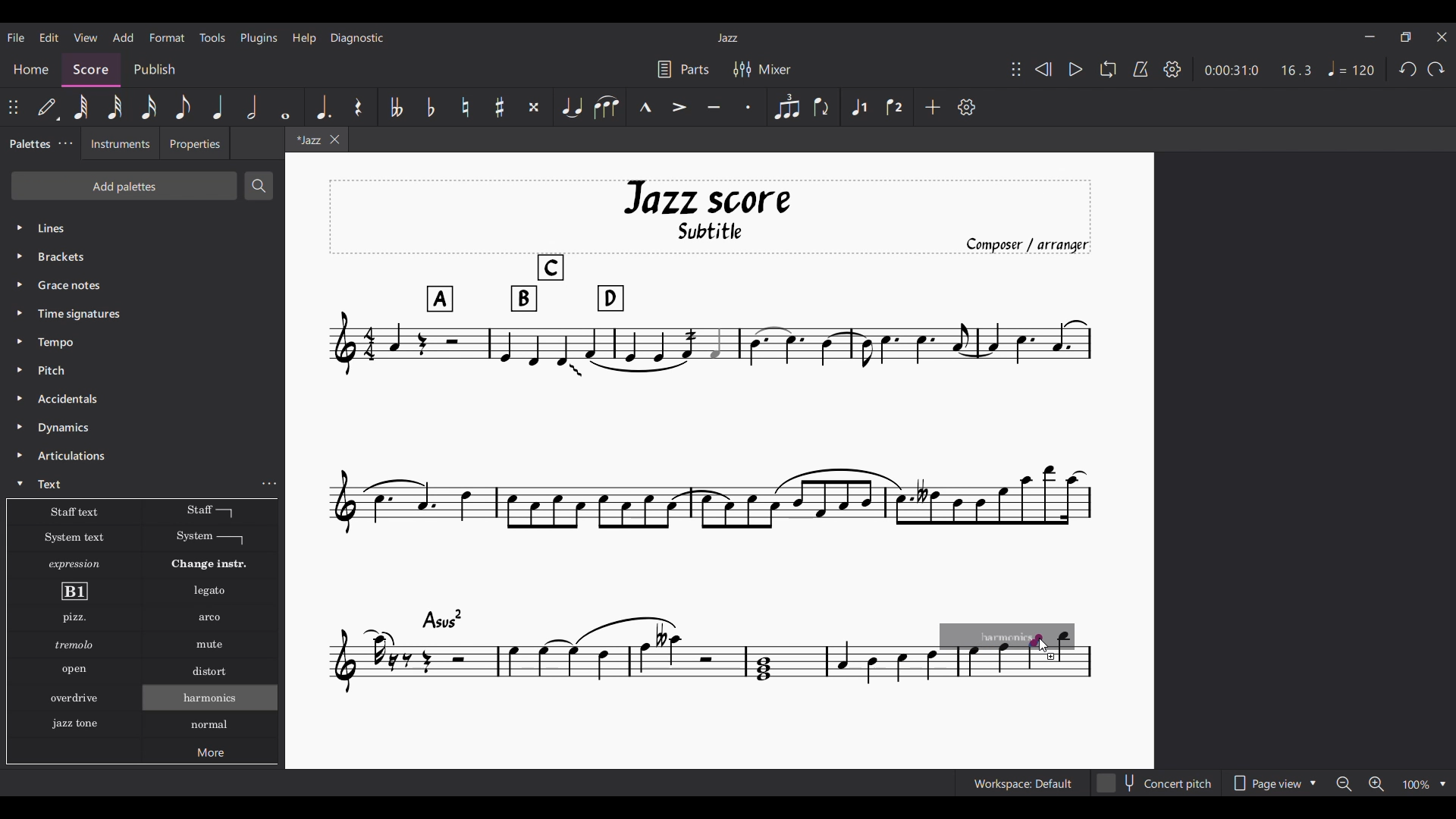  I want to click on Collapse, so click(20, 483).